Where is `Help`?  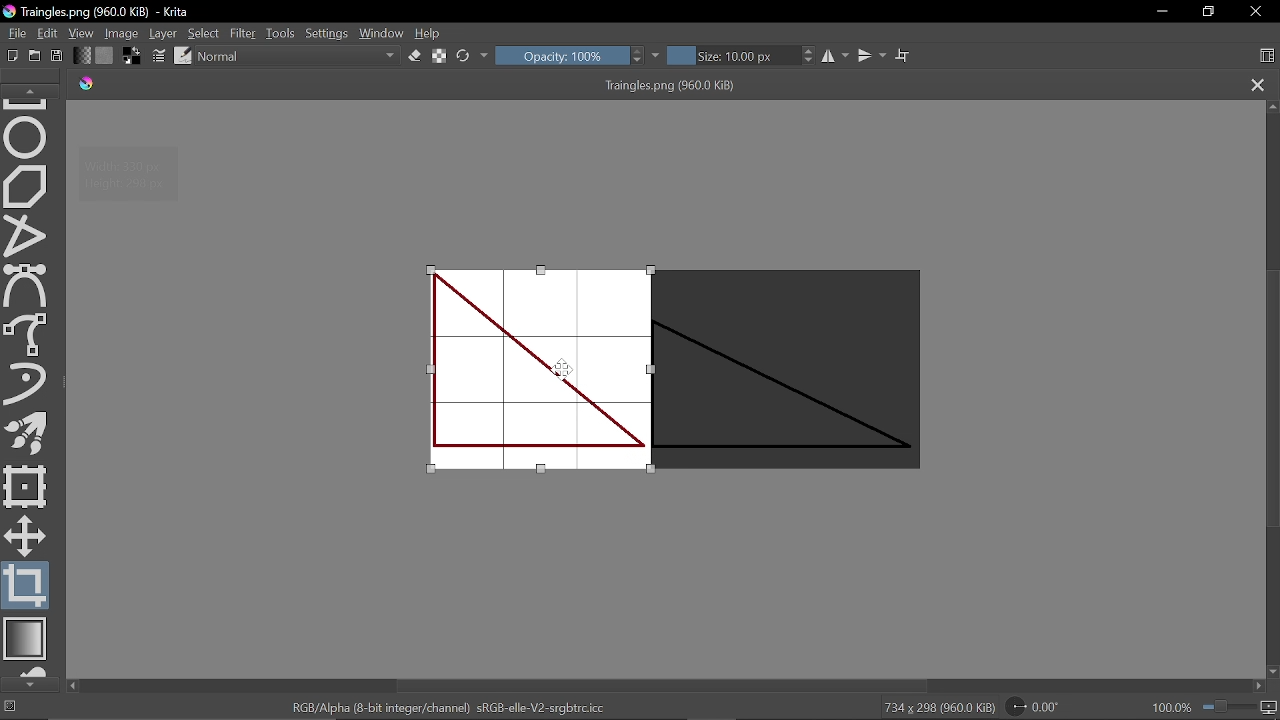 Help is located at coordinates (430, 34).